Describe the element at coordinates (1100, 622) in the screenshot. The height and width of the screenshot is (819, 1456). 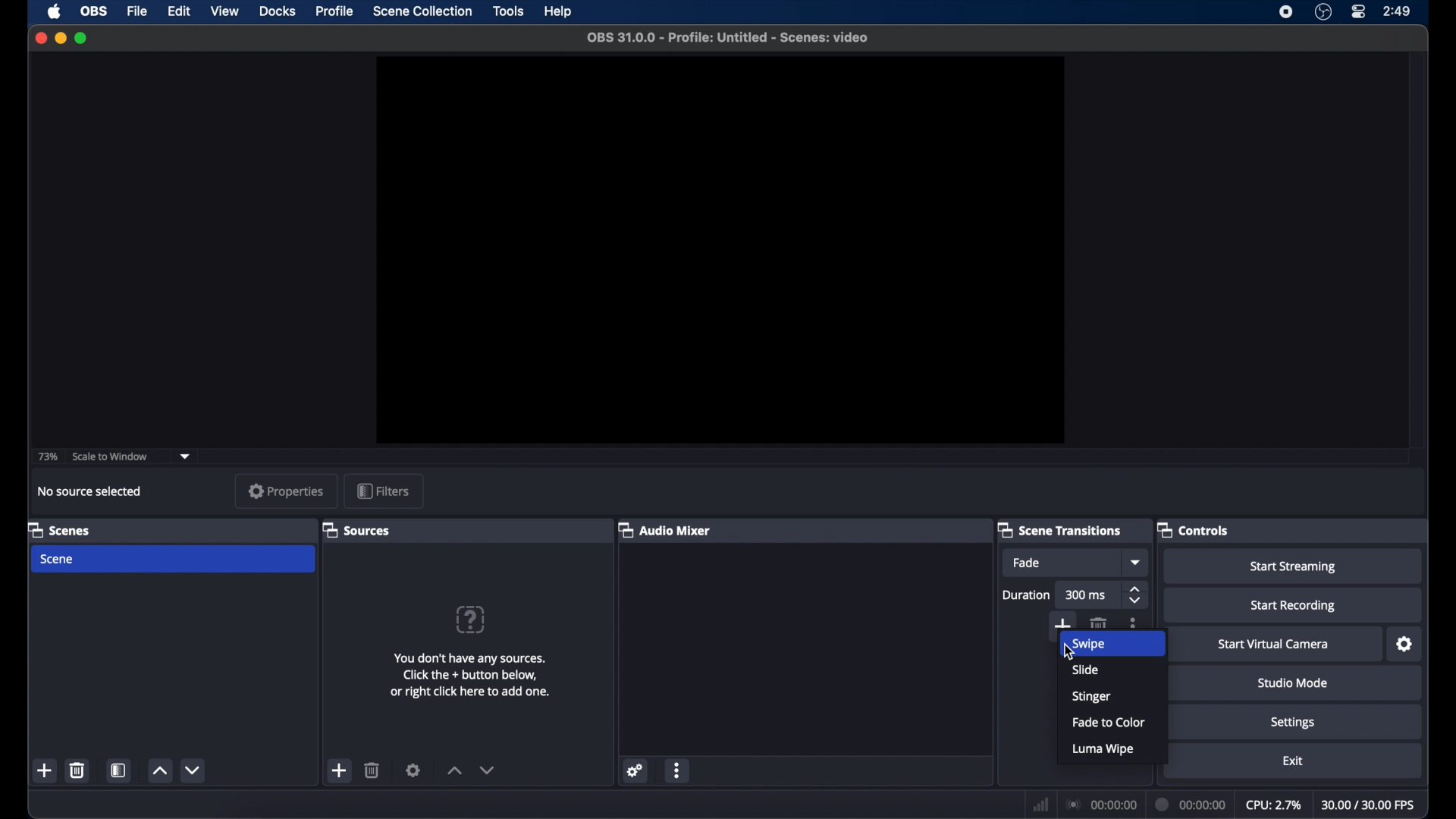
I see `delete` at that location.